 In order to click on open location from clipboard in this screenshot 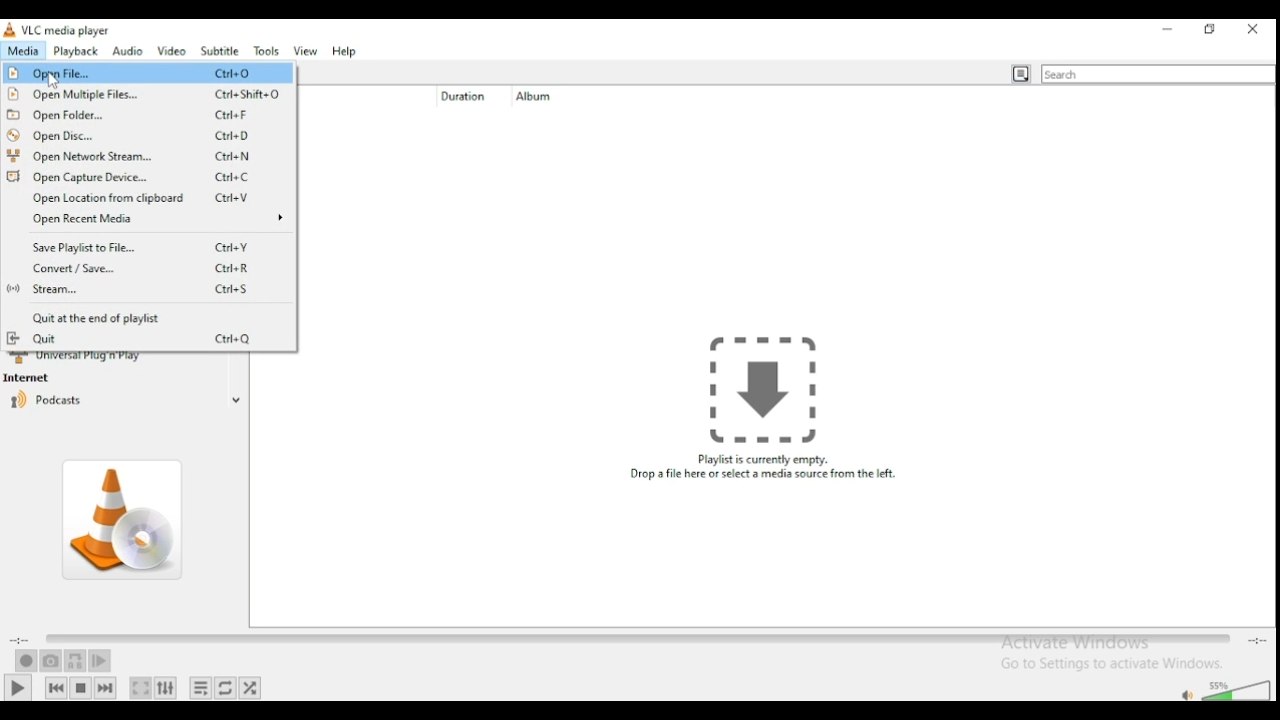, I will do `click(150, 199)`.